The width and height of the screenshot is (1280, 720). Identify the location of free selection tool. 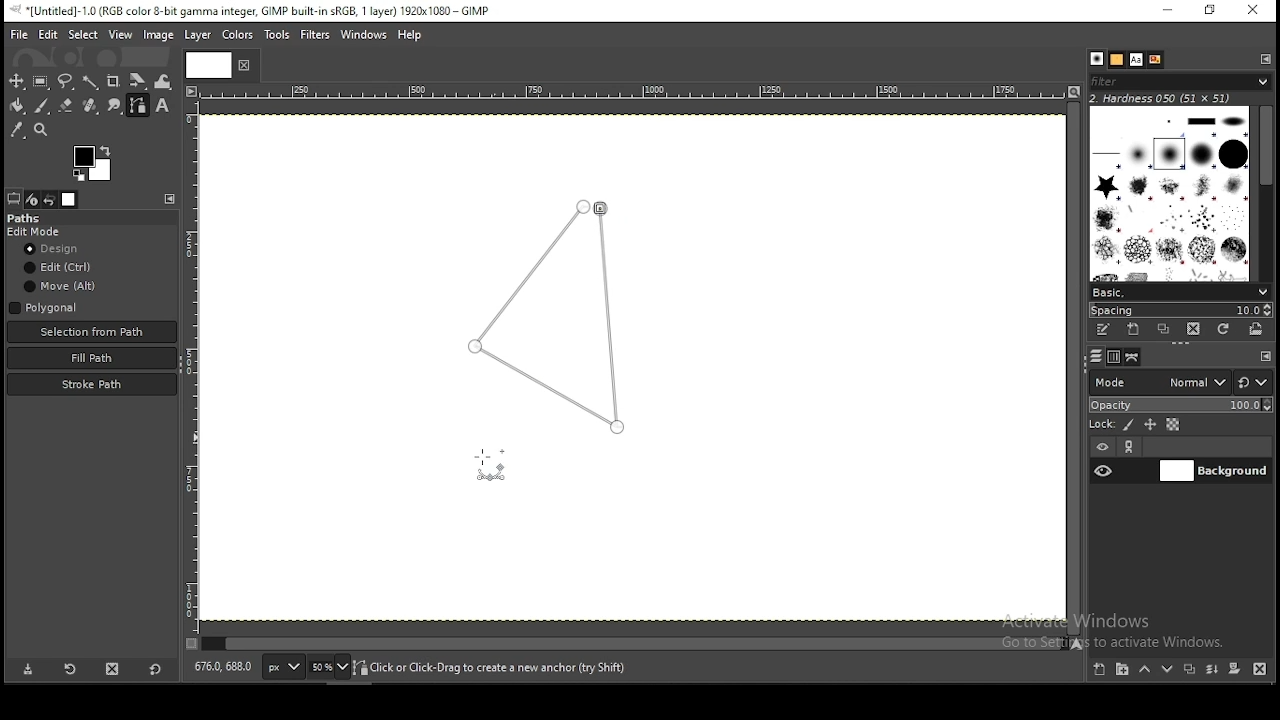
(66, 81).